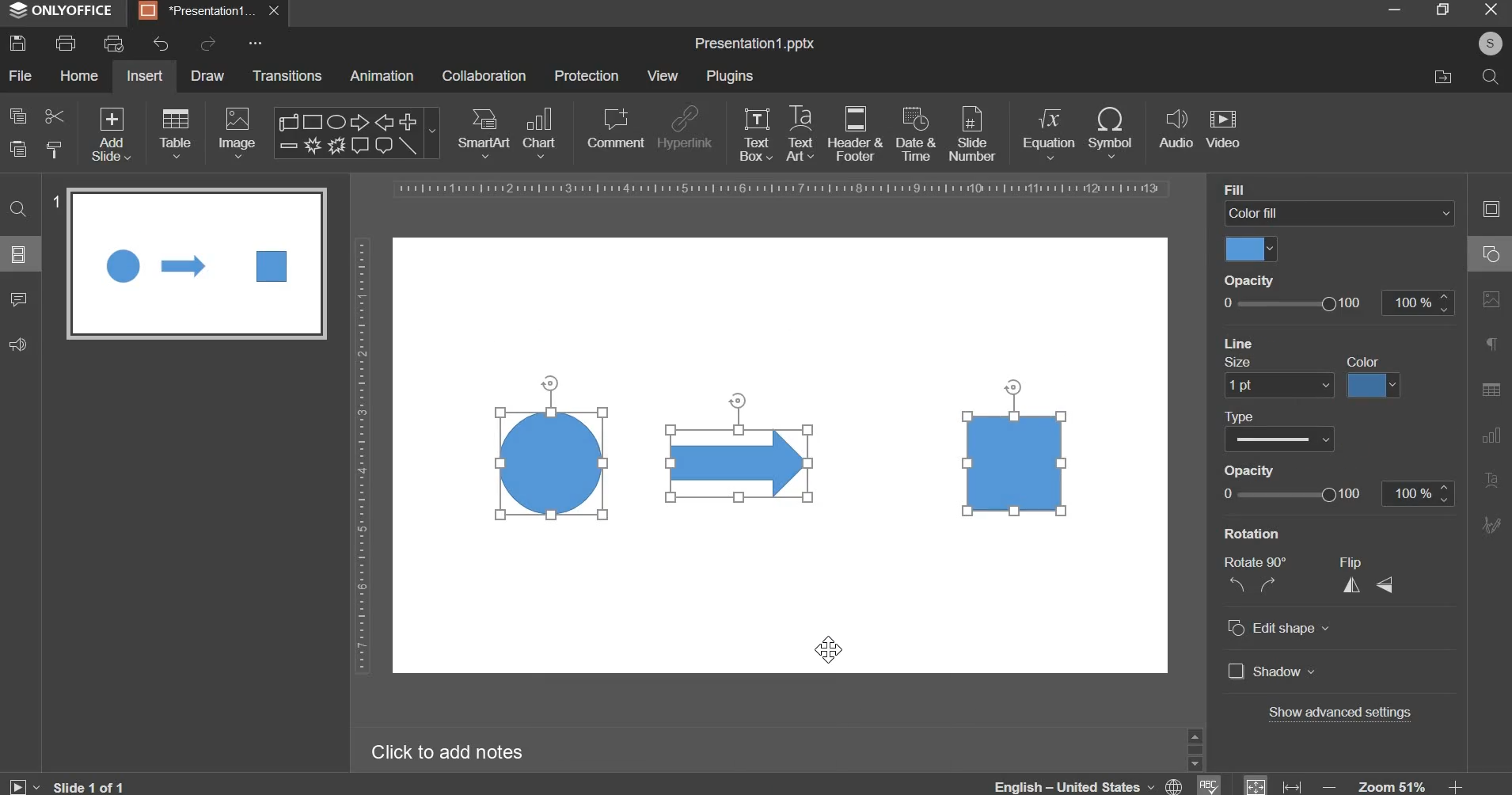 This screenshot has width=1512, height=795. I want to click on print, so click(66, 44).